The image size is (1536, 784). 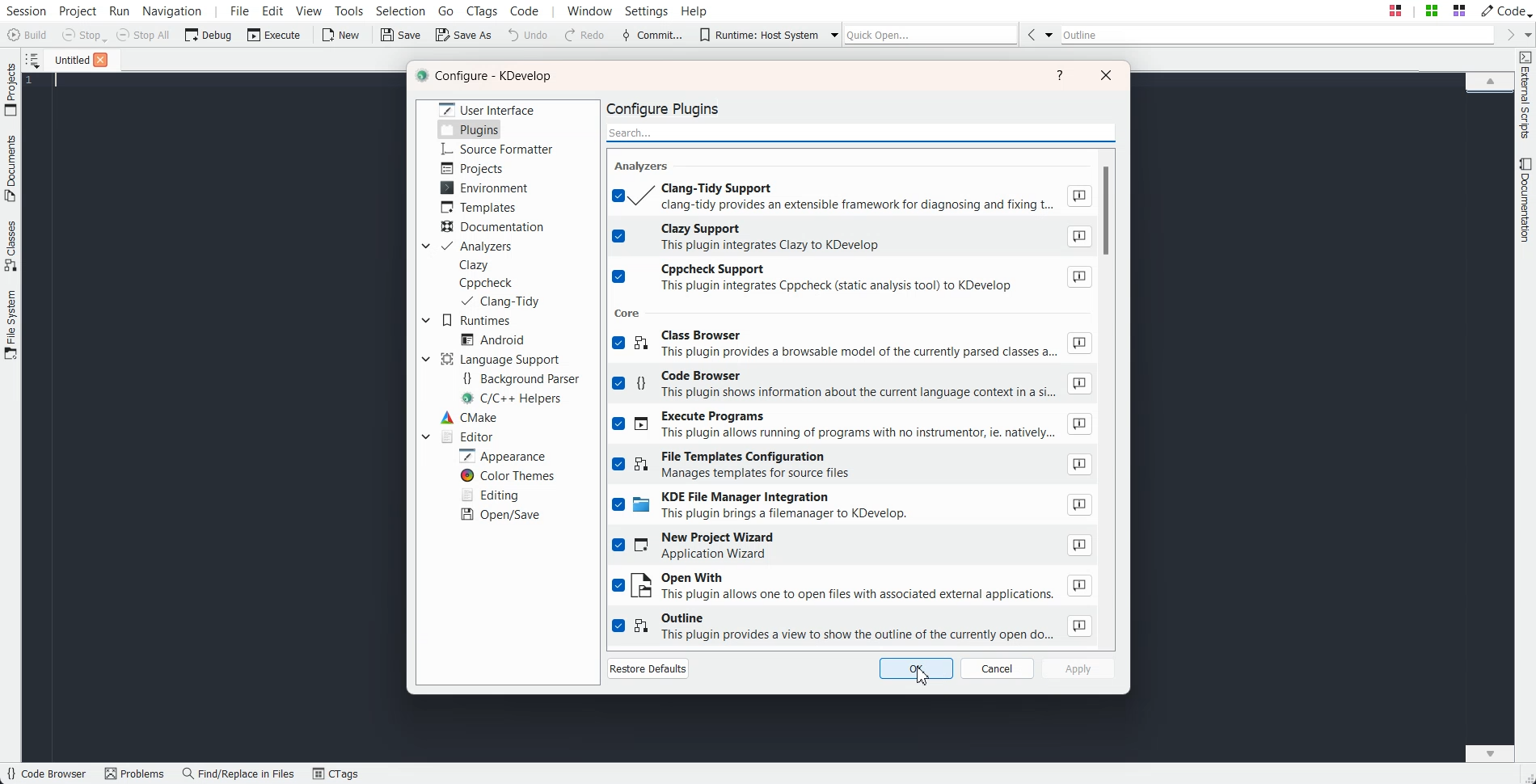 What do you see at coordinates (425, 358) in the screenshot?
I see `Drop down box` at bounding box center [425, 358].